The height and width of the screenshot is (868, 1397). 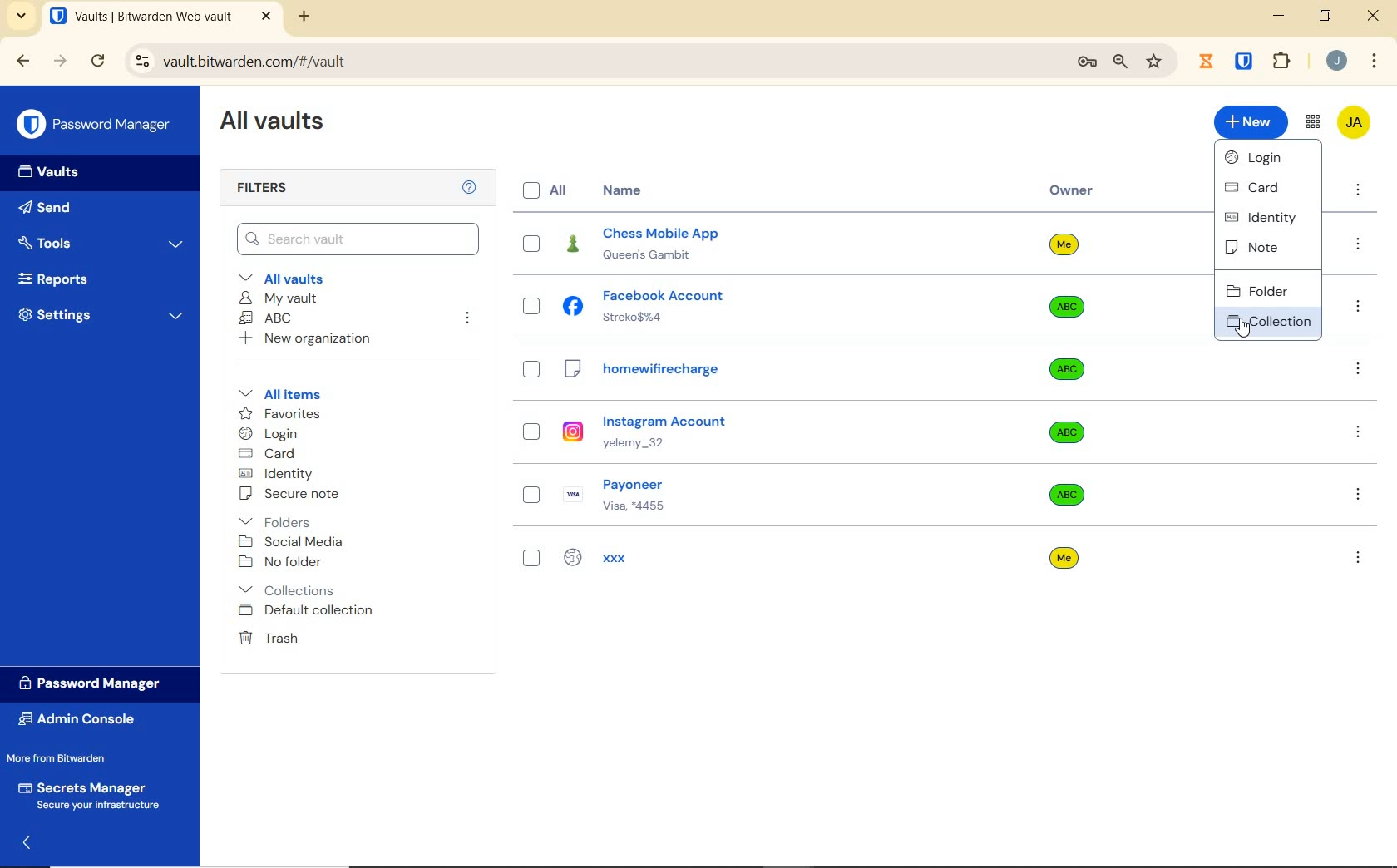 What do you see at coordinates (96, 125) in the screenshot?
I see `Password Manager` at bounding box center [96, 125].